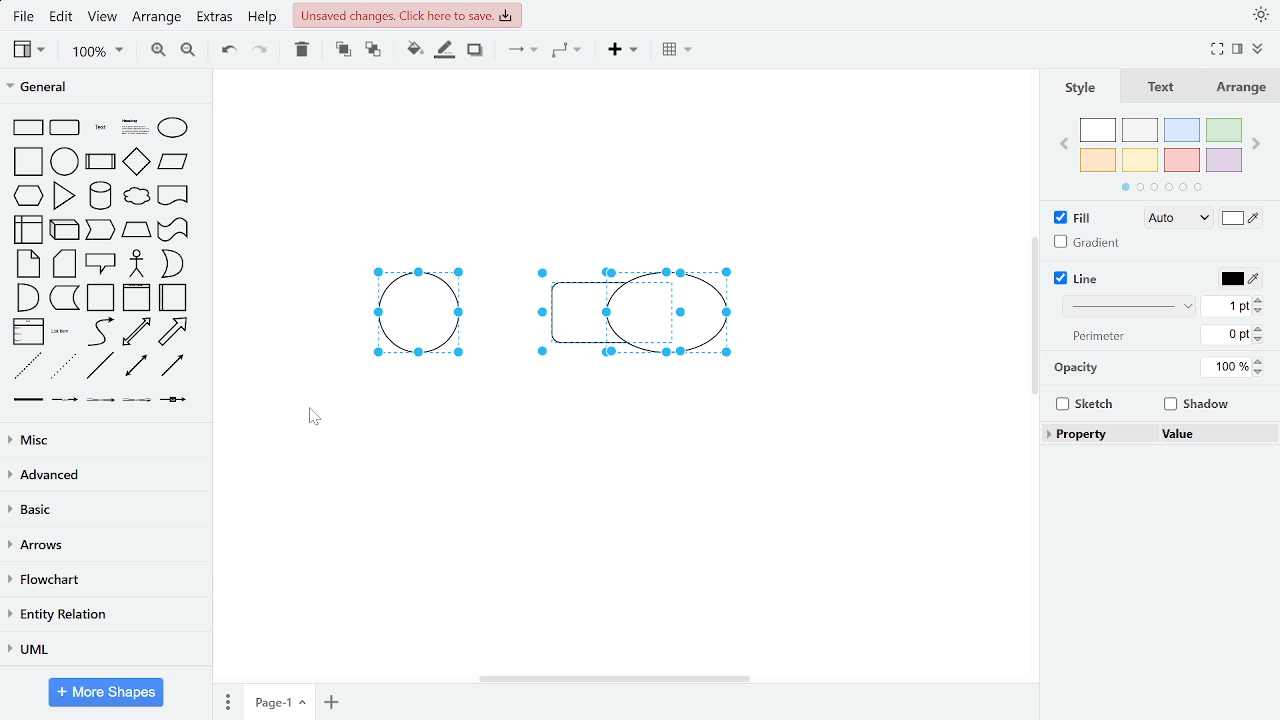 The image size is (1280, 720). What do you see at coordinates (100, 231) in the screenshot?
I see `step` at bounding box center [100, 231].